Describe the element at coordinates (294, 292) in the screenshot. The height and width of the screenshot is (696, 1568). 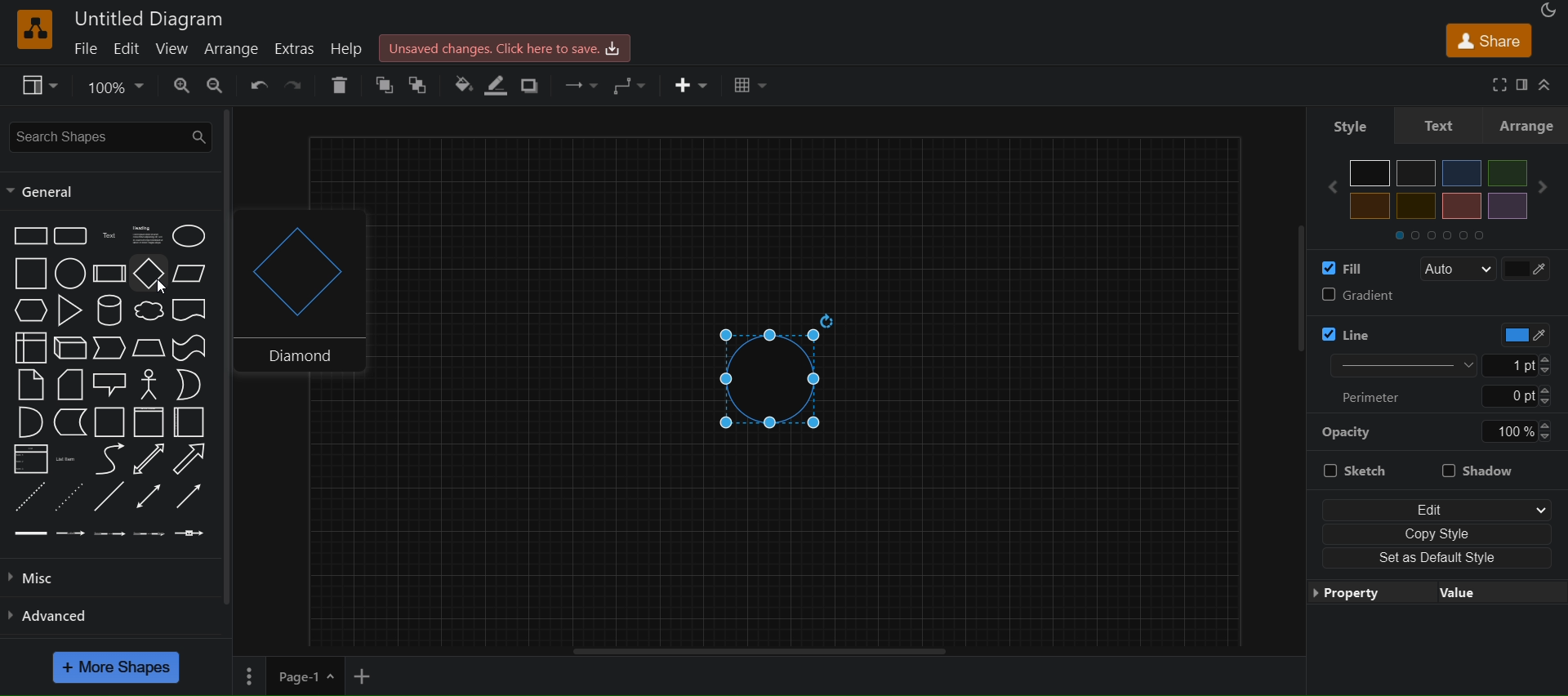
I see `diamond` at that location.